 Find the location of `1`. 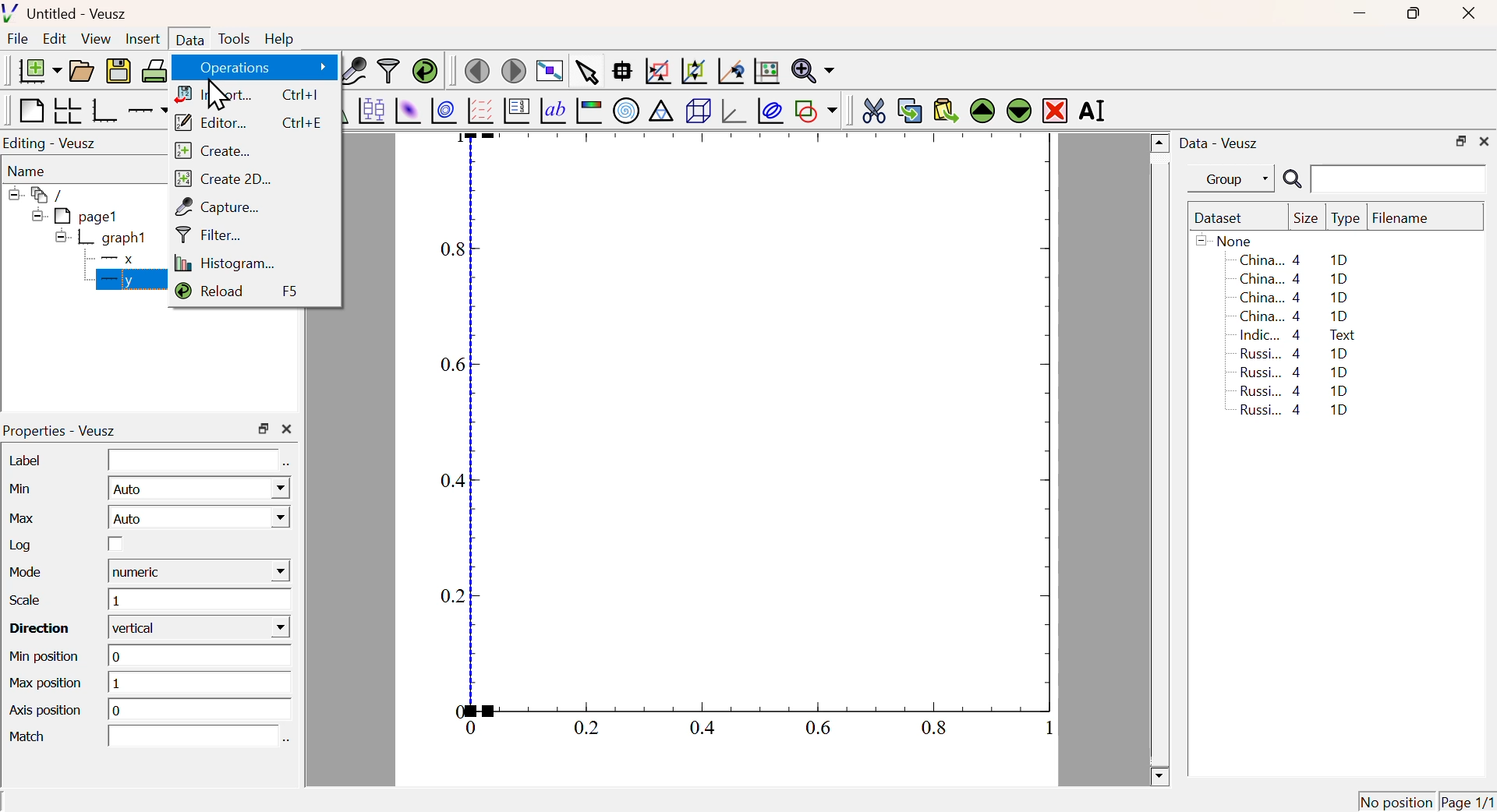

1 is located at coordinates (200, 684).